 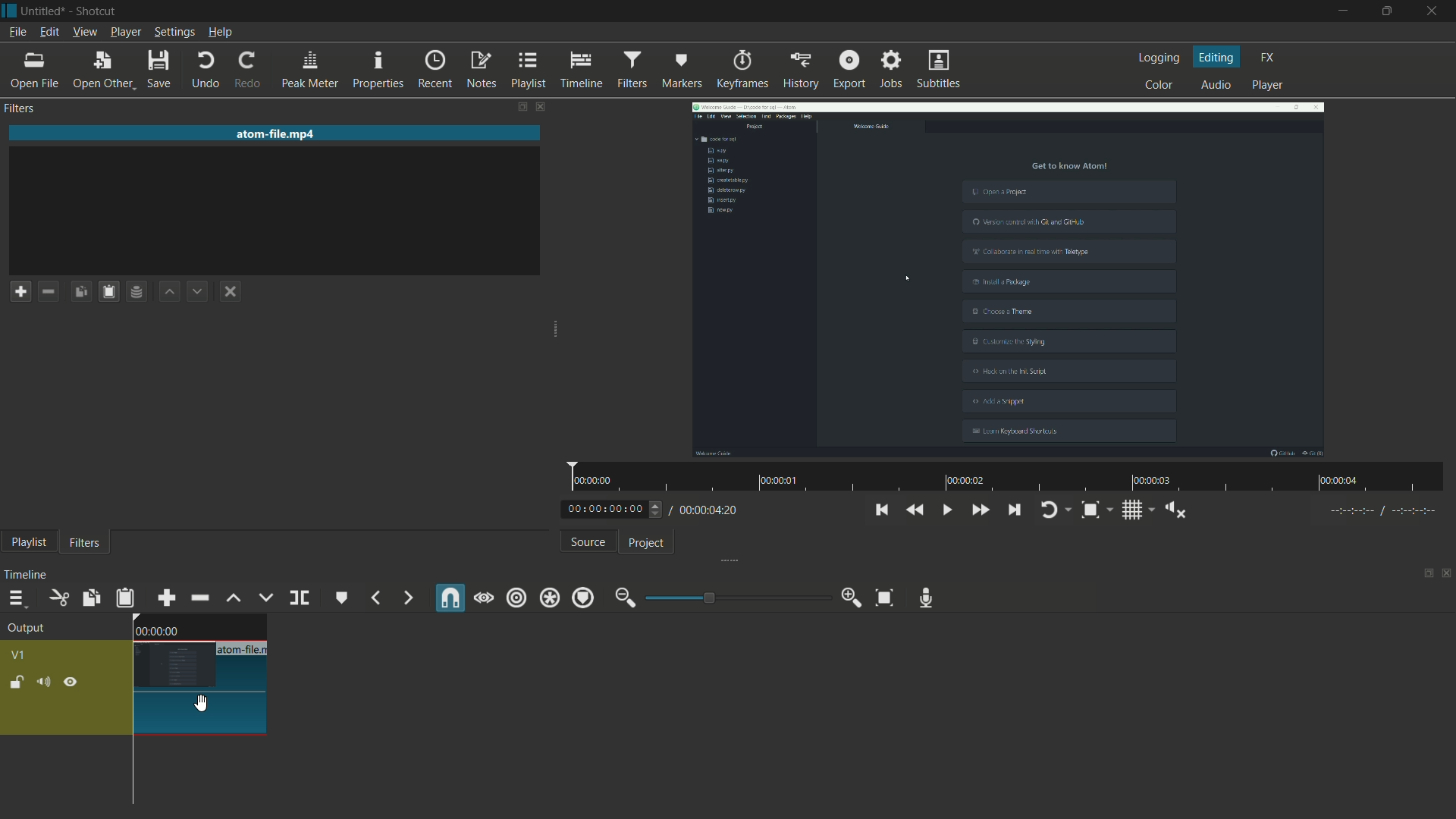 What do you see at coordinates (206, 71) in the screenshot?
I see `undo` at bounding box center [206, 71].